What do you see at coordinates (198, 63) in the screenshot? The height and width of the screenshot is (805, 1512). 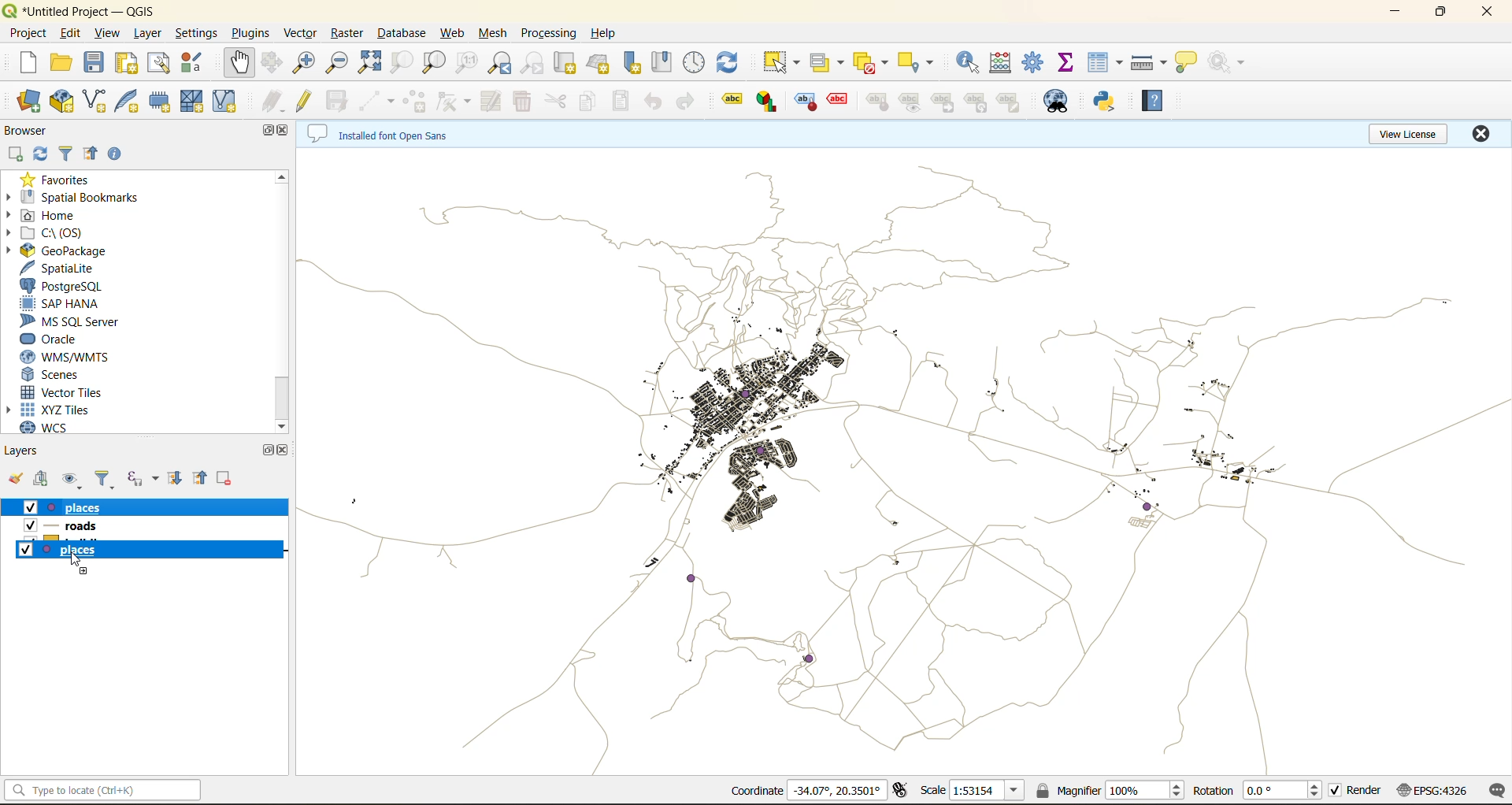 I see `style manager` at bounding box center [198, 63].